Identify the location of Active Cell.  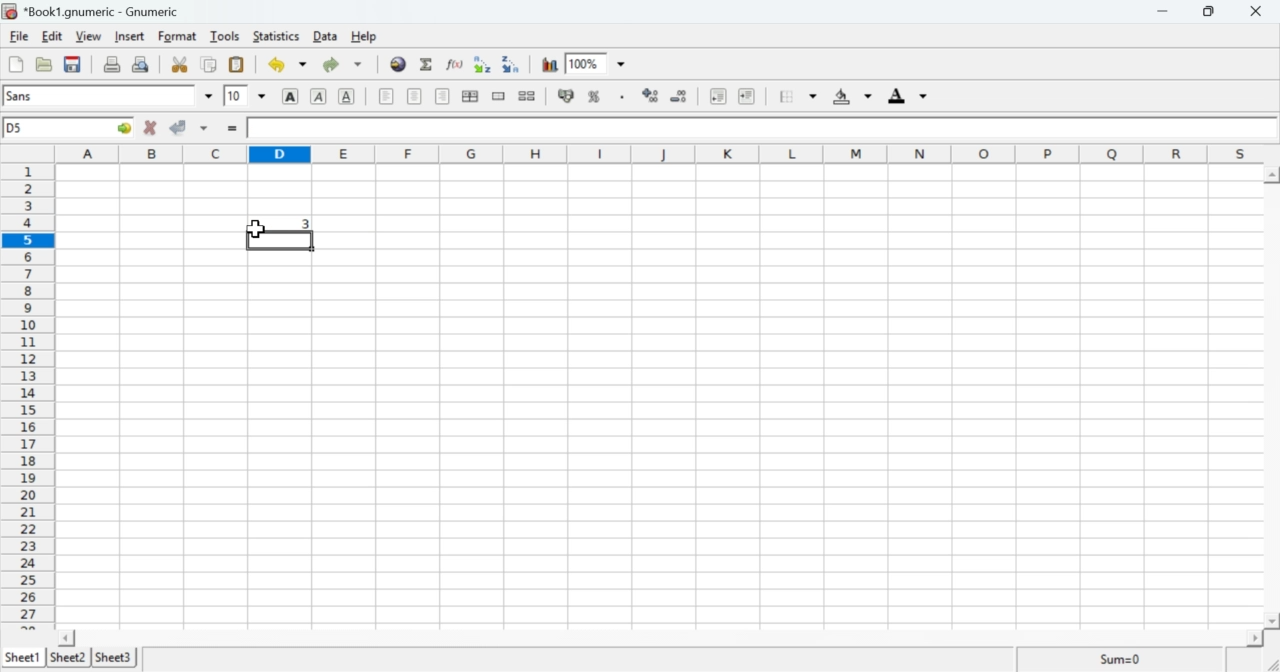
(70, 128).